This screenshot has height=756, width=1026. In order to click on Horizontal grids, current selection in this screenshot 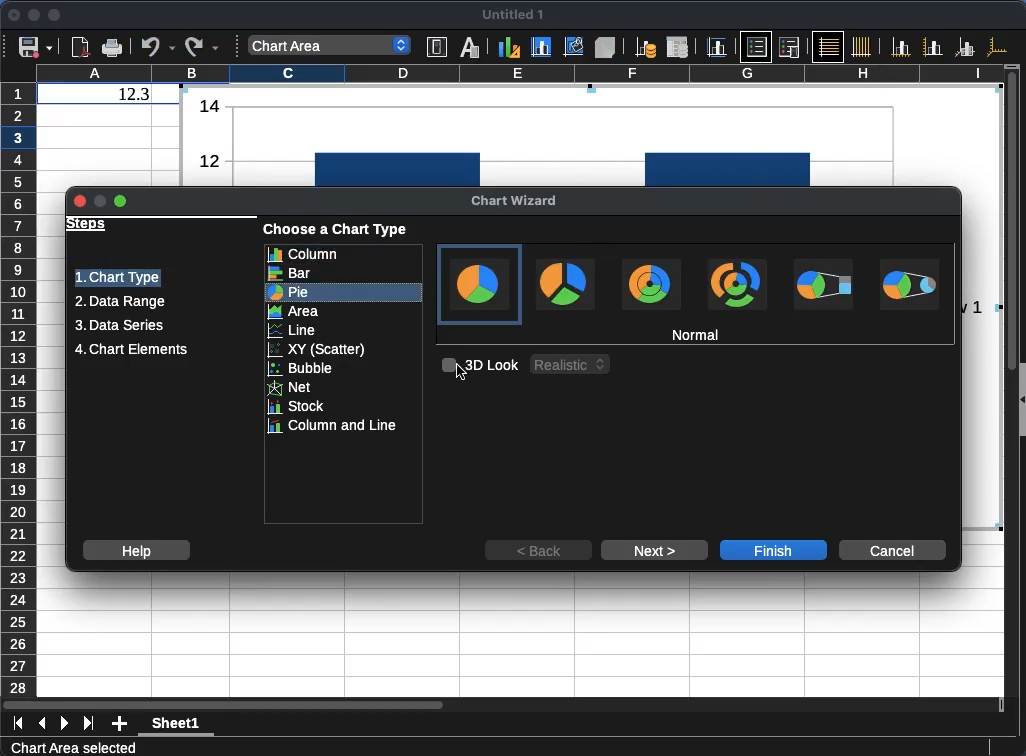, I will do `click(828, 46)`.